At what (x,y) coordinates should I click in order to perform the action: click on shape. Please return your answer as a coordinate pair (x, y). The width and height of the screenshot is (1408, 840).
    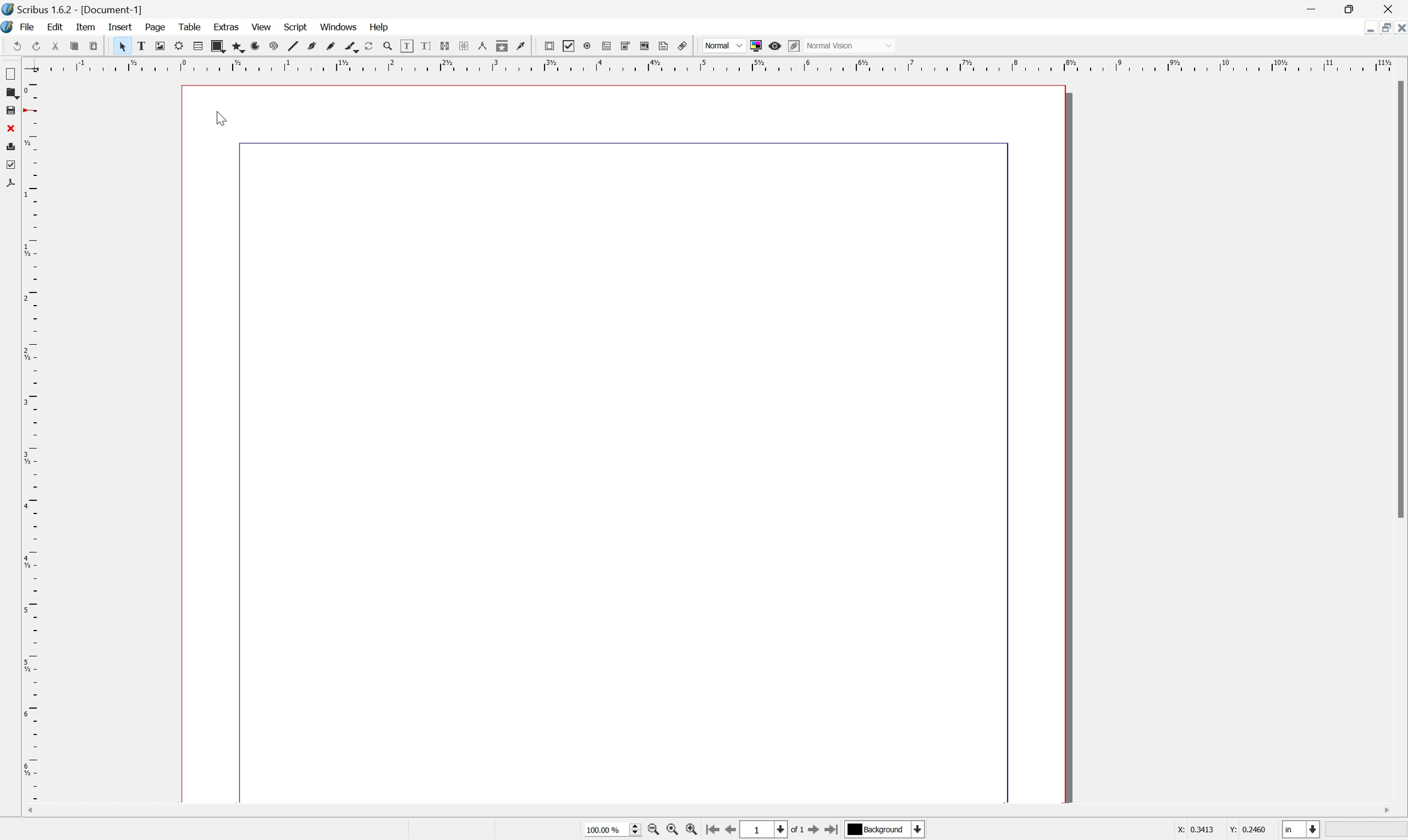
    Looking at the image, I should click on (349, 46).